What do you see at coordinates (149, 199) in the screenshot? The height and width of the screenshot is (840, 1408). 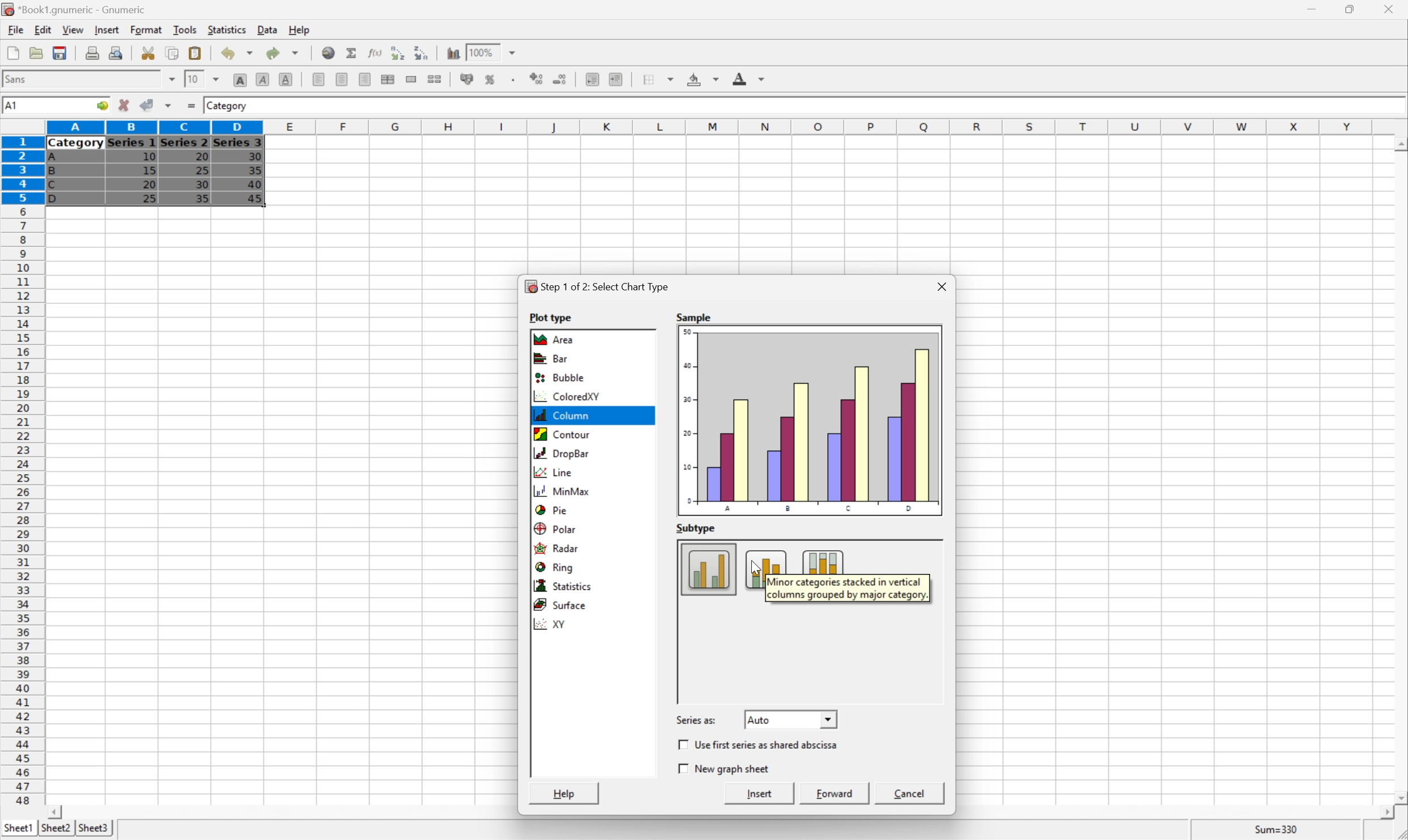 I see `25` at bounding box center [149, 199].